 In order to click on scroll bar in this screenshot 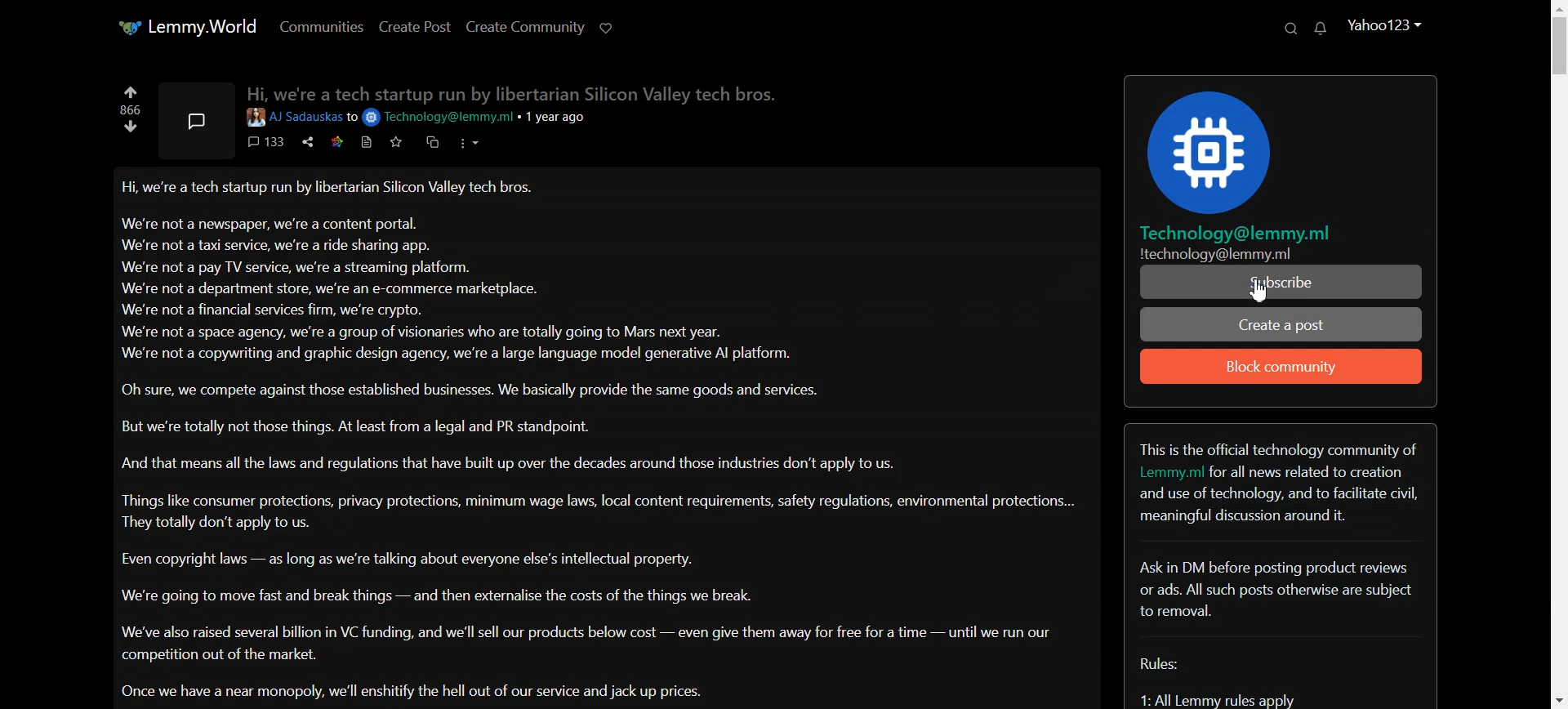, I will do `click(1558, 354)`.